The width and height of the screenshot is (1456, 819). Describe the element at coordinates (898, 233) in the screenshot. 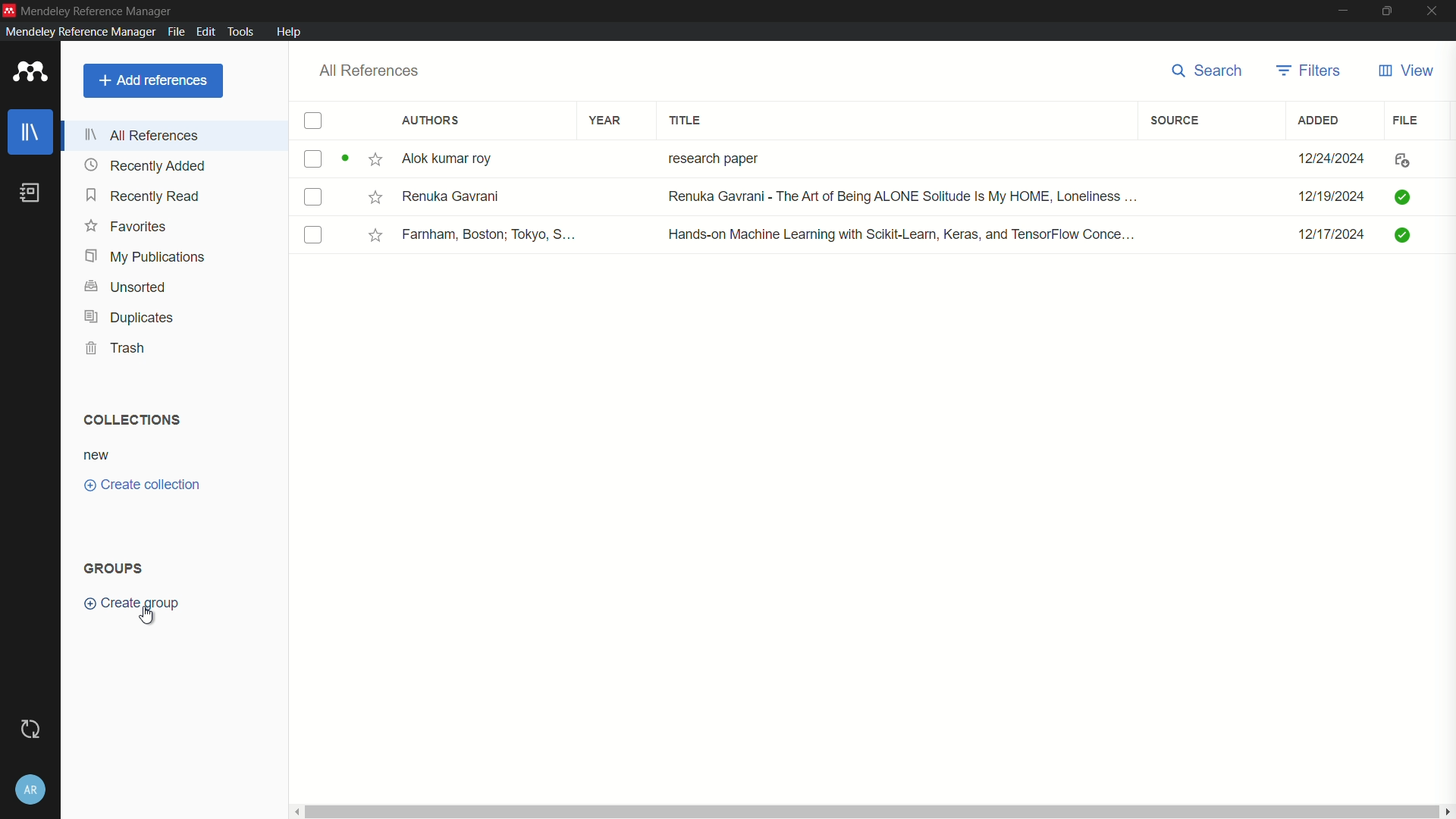

I see `Hands on Machine Learning...` at that location.